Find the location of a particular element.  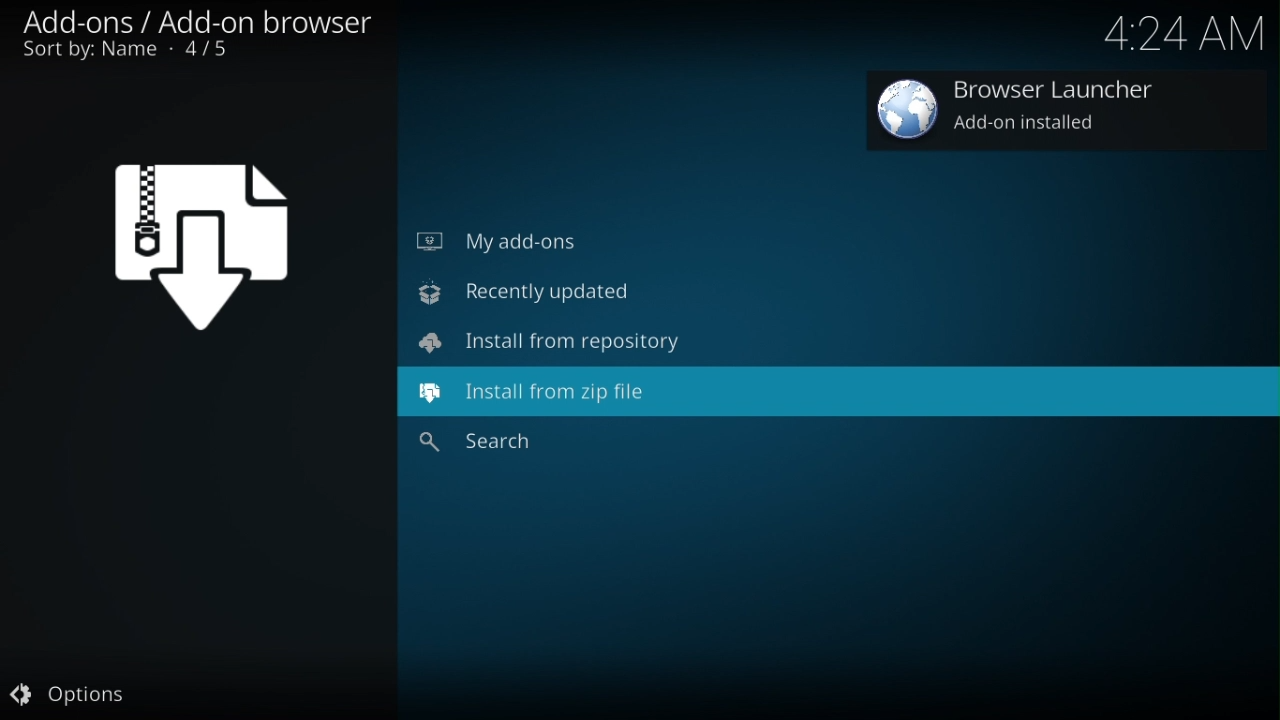

add on is located at coordinates (1018, 113).